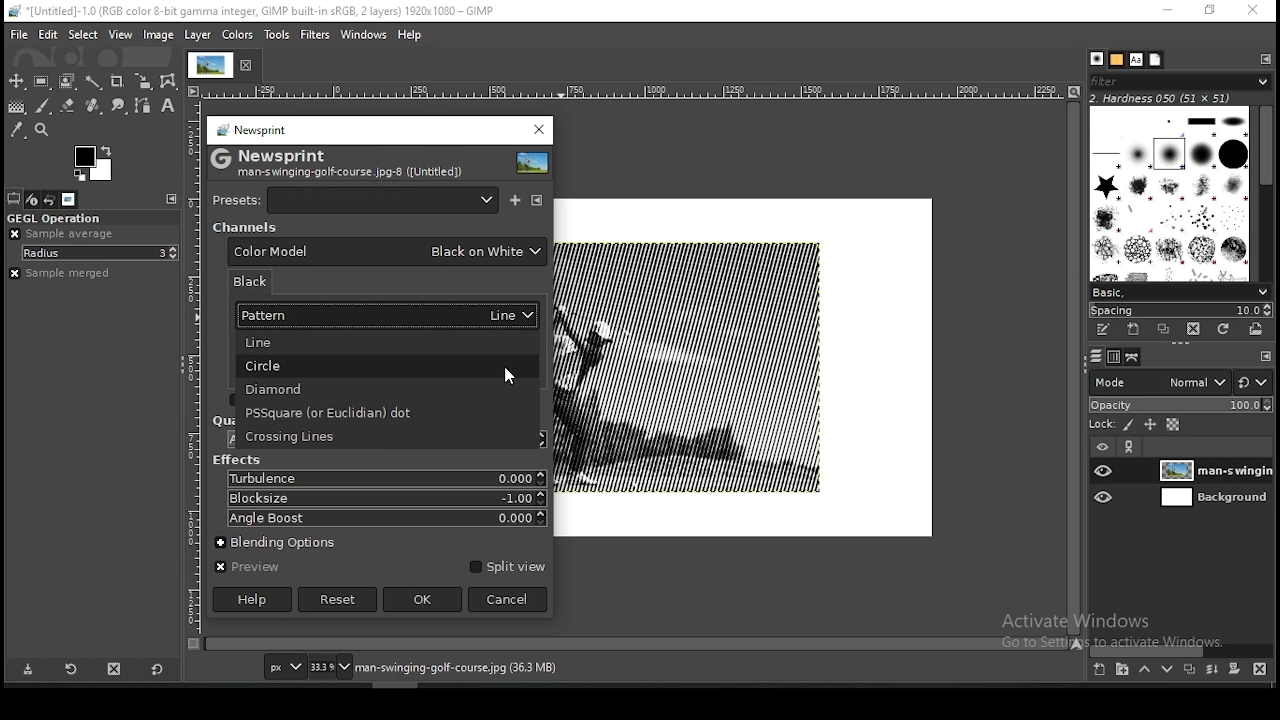 Image resolution: width=1280 pixels, height=720 pixels. I want to click on hardness 050 (51x51), so click(1183, 98).